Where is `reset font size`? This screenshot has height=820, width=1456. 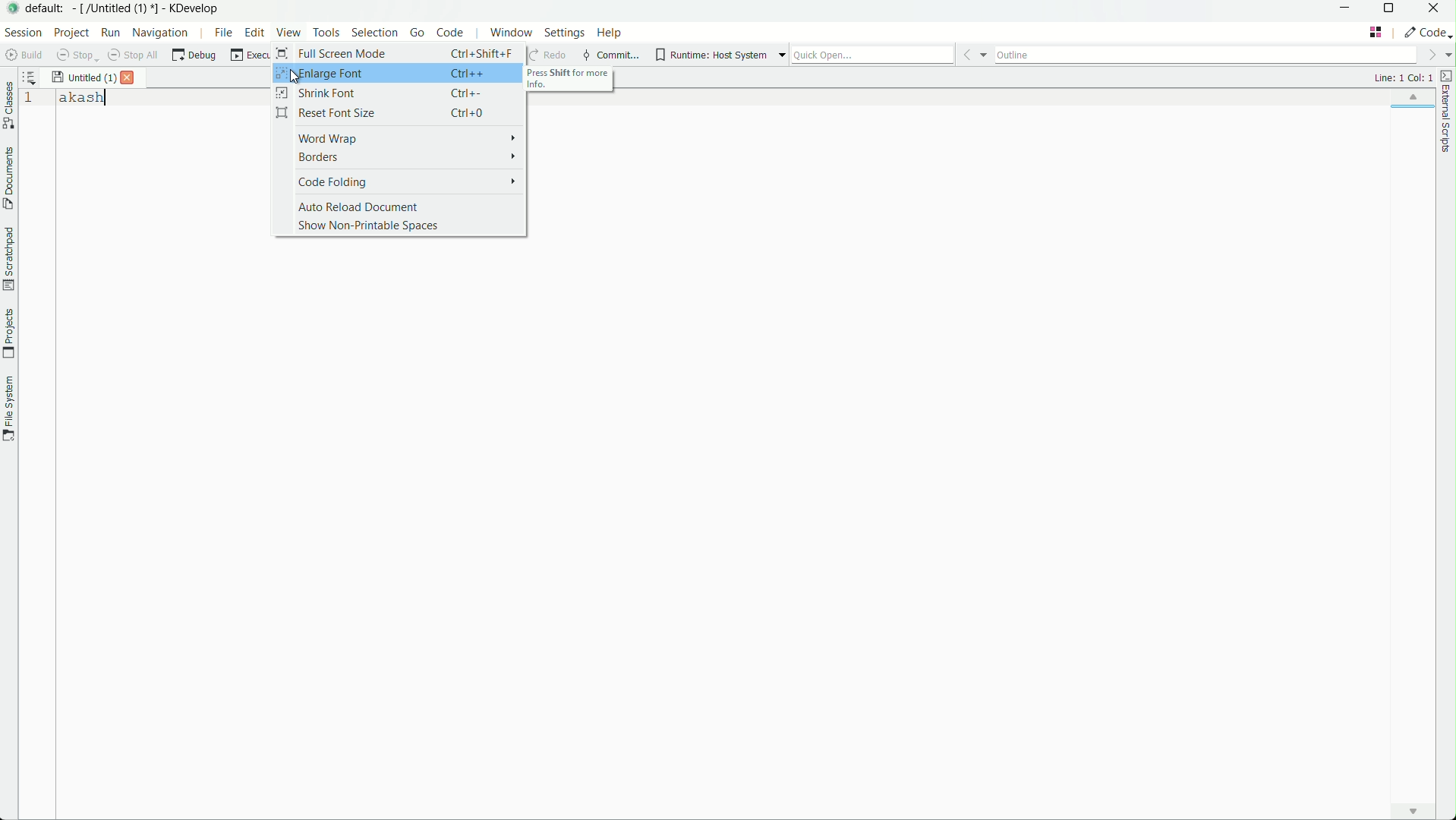
reset font size is located at coordinates (400, 113).